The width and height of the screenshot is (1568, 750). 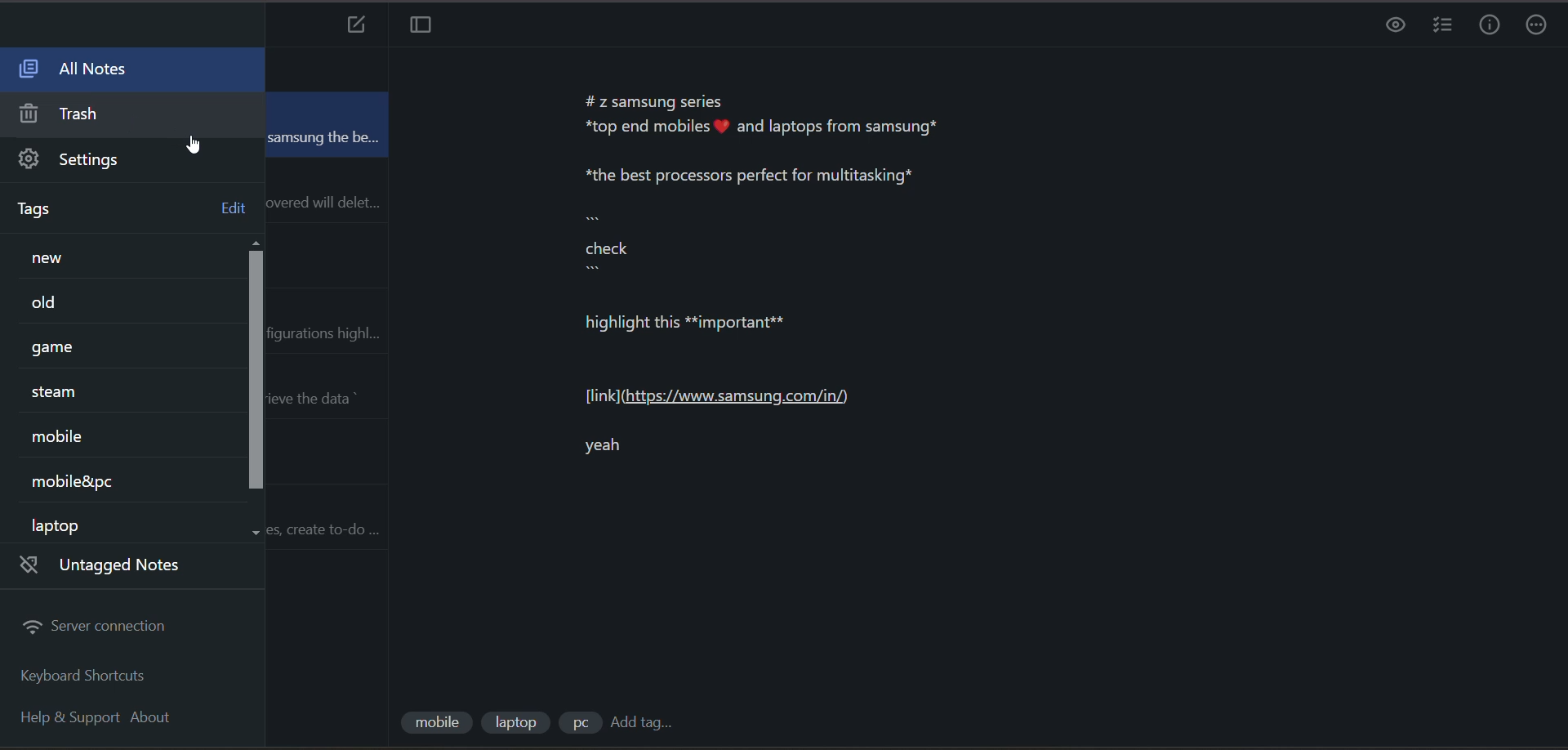 What do you see at coordinates (767, 273) in the screenshot?
I see `# z samsung series

*top end mobiles # and laptops from samsung*
*the best processors perfect for multitasking*
check

highlight this **important**

[link] (https://www.samsung.com/in/)

yeah` at bounding box center [767, 273].